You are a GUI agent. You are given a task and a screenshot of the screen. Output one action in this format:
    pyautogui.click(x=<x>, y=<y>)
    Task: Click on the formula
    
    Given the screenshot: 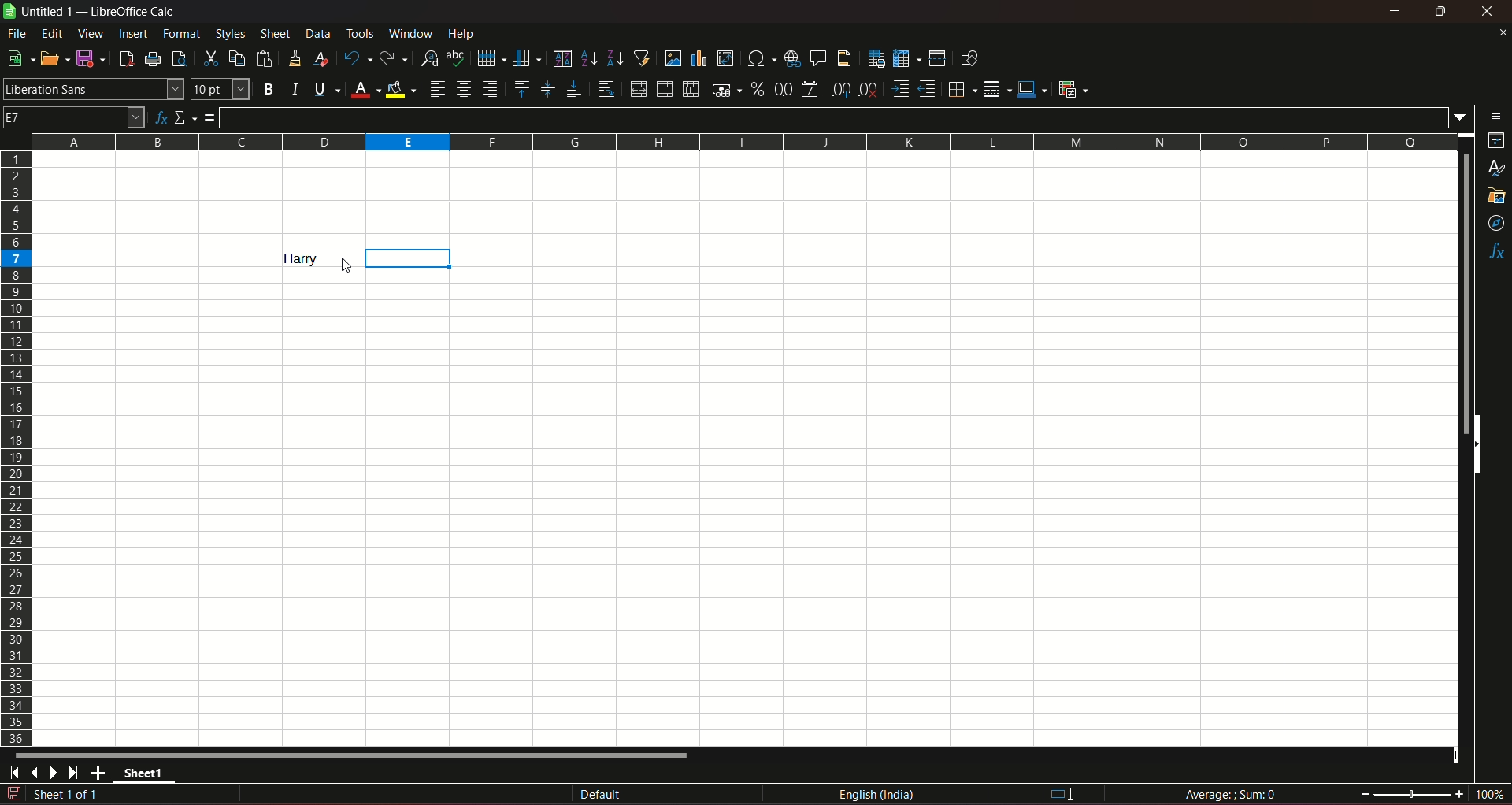 What is the action you would take?
    pyautogui.click(x=1233, y=794)
    